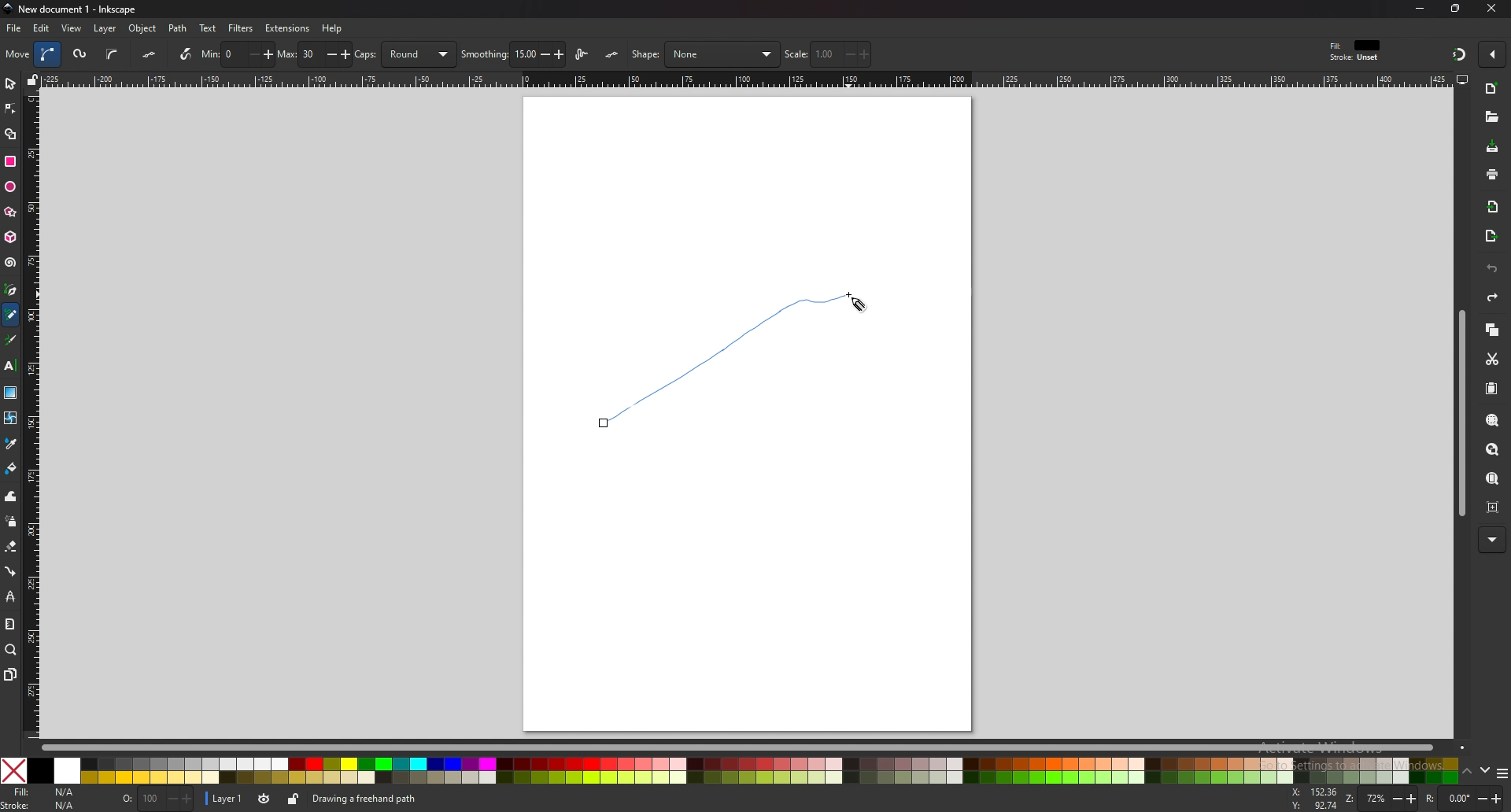 The width and height of the screenshot is (1511, 812). Describe the element at coordinates (209, 28) in the screenshot. I see `text` at that location.